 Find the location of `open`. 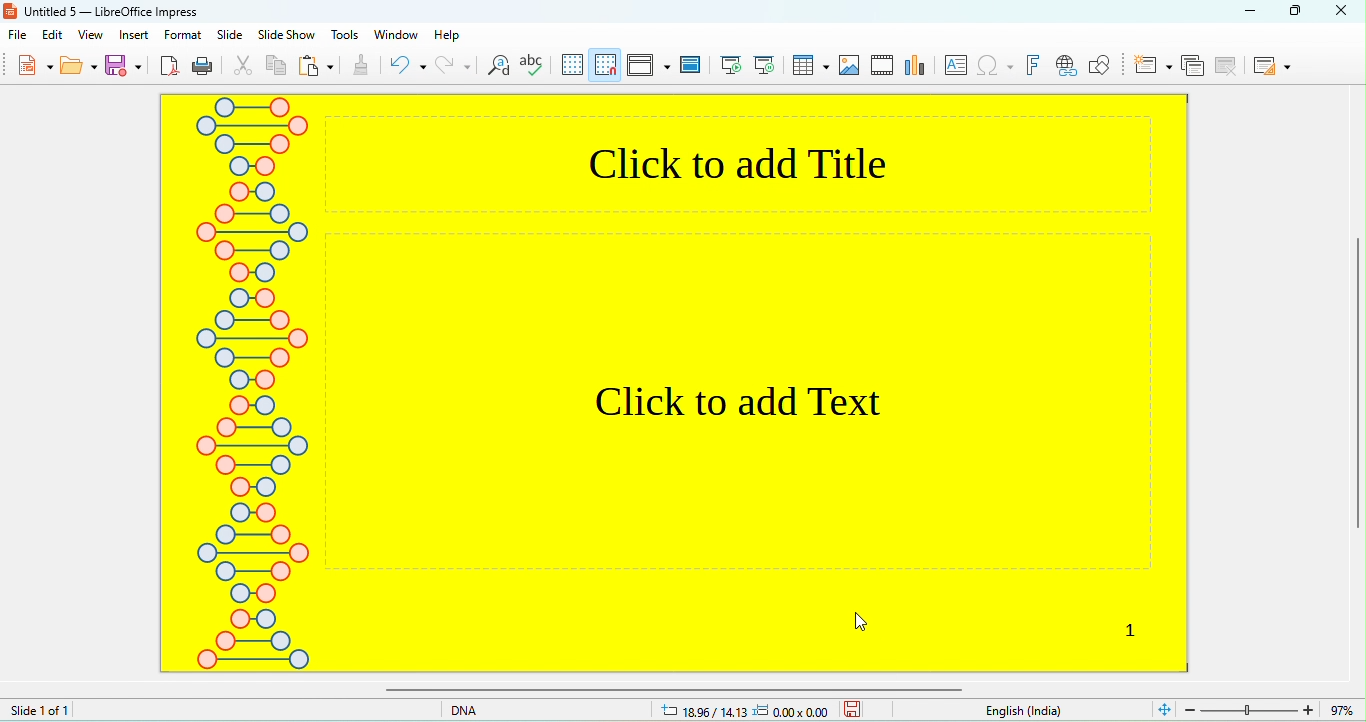

open is located at coordinates (79, 69).